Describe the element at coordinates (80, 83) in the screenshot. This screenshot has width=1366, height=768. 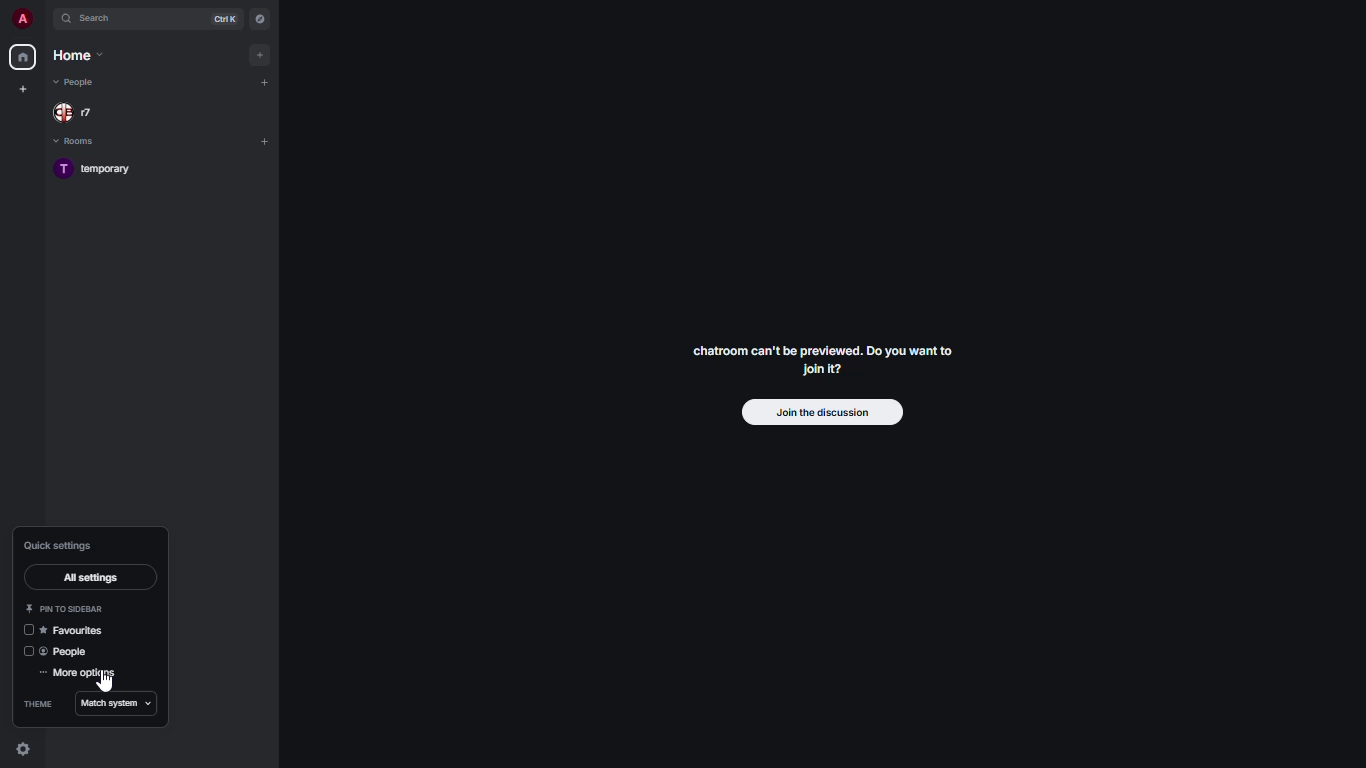
I see `people` at that location.